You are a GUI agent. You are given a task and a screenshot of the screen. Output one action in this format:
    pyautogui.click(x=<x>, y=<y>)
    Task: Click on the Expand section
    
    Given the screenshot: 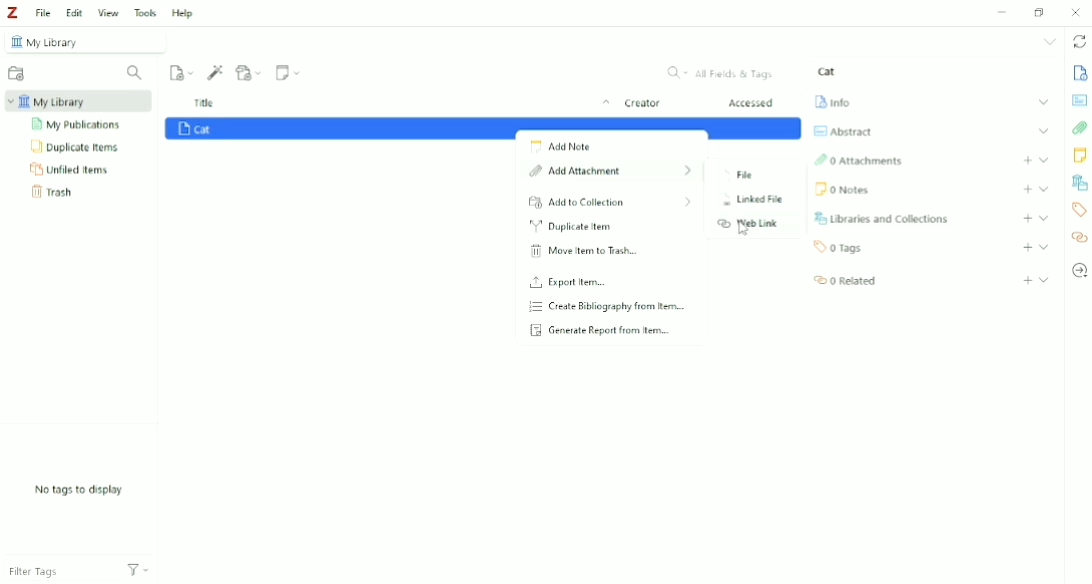 What is the action you would take?
    pyautogui.click(x=1043, y=218)
    